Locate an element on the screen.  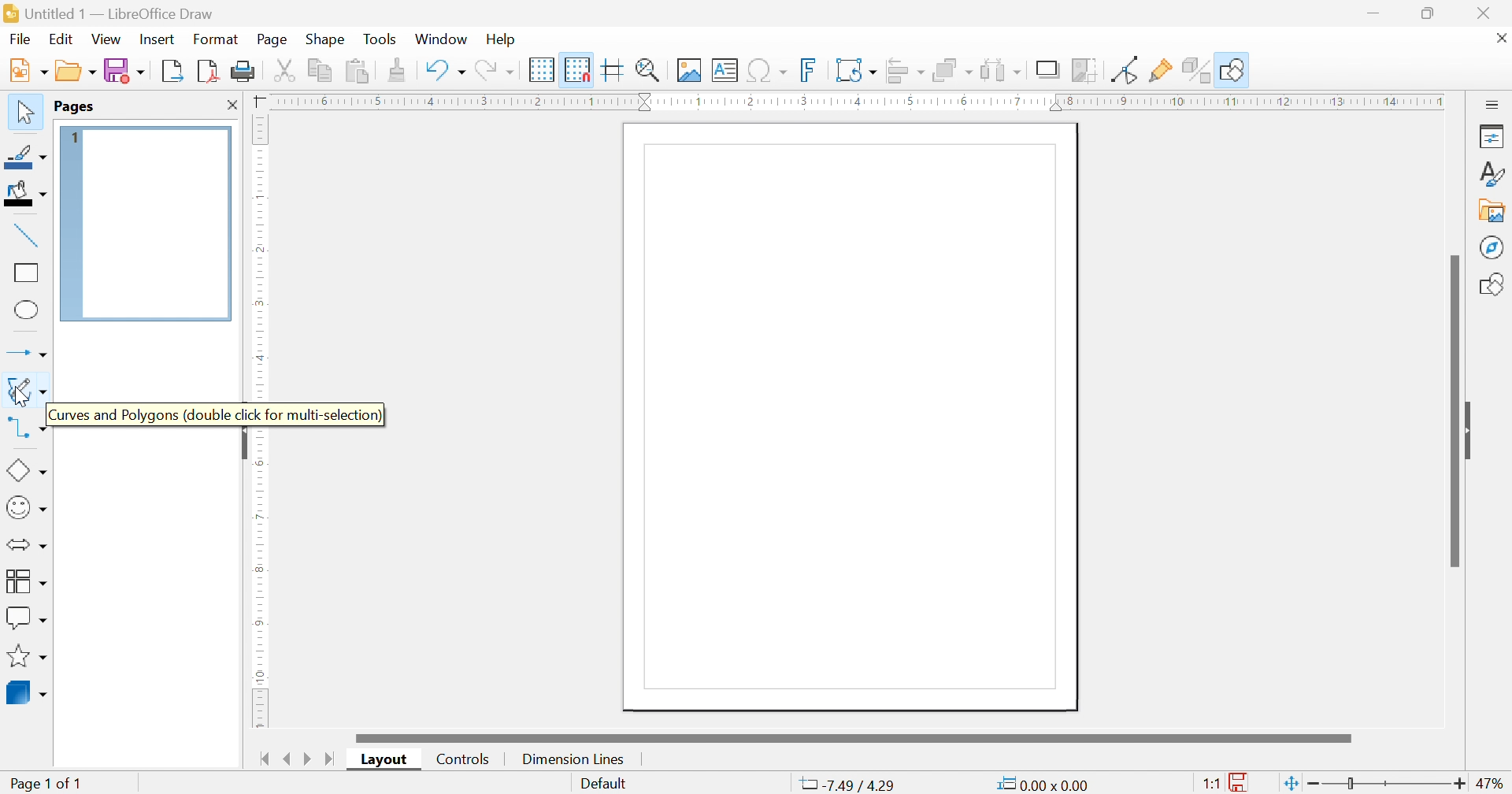
snap to grid is located at coordinates (576, 69).